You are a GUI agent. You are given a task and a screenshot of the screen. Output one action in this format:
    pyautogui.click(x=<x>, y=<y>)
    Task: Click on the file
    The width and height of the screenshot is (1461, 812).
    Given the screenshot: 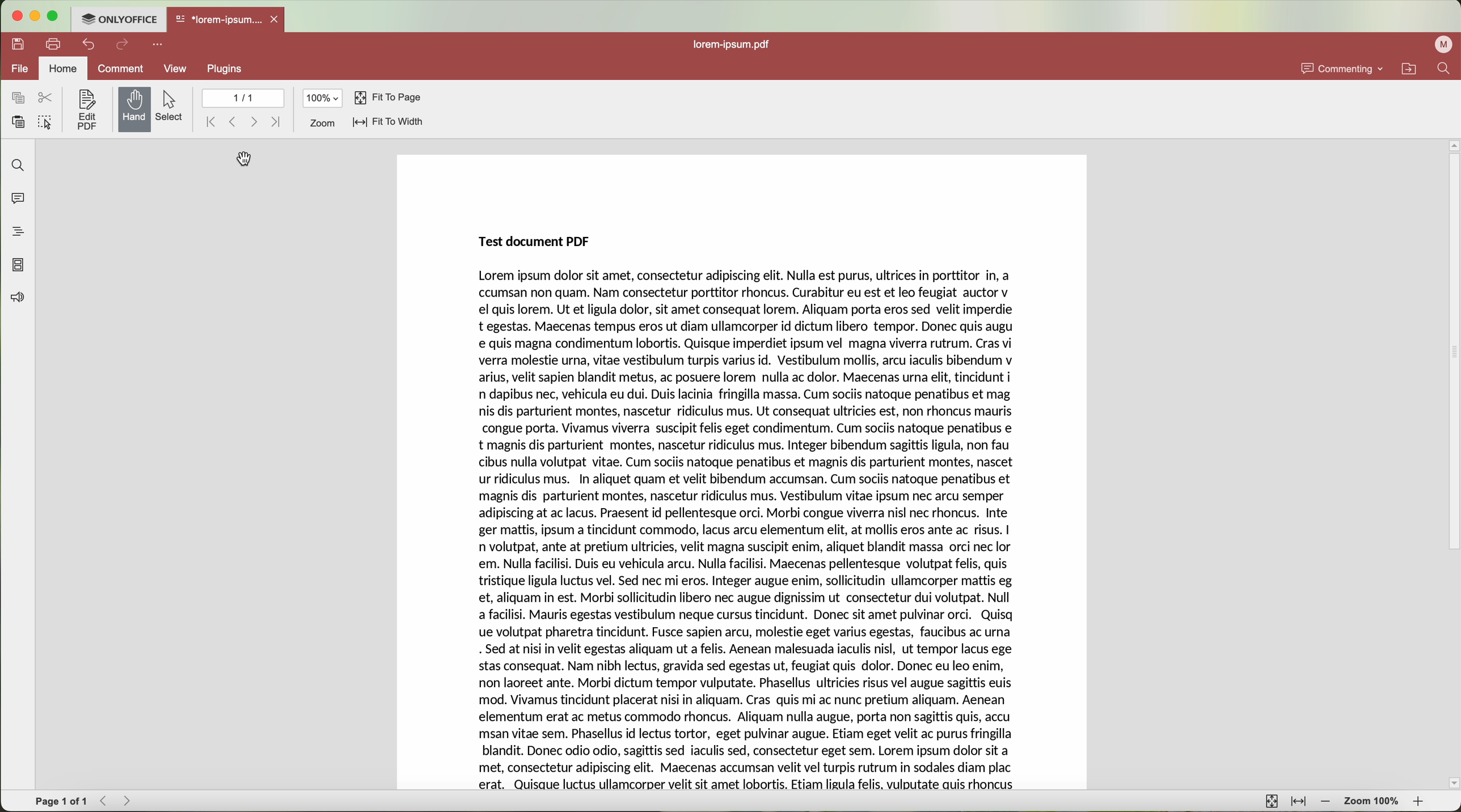 What is the action you would take?
    pyautogui.click(x=15, y=69)
    